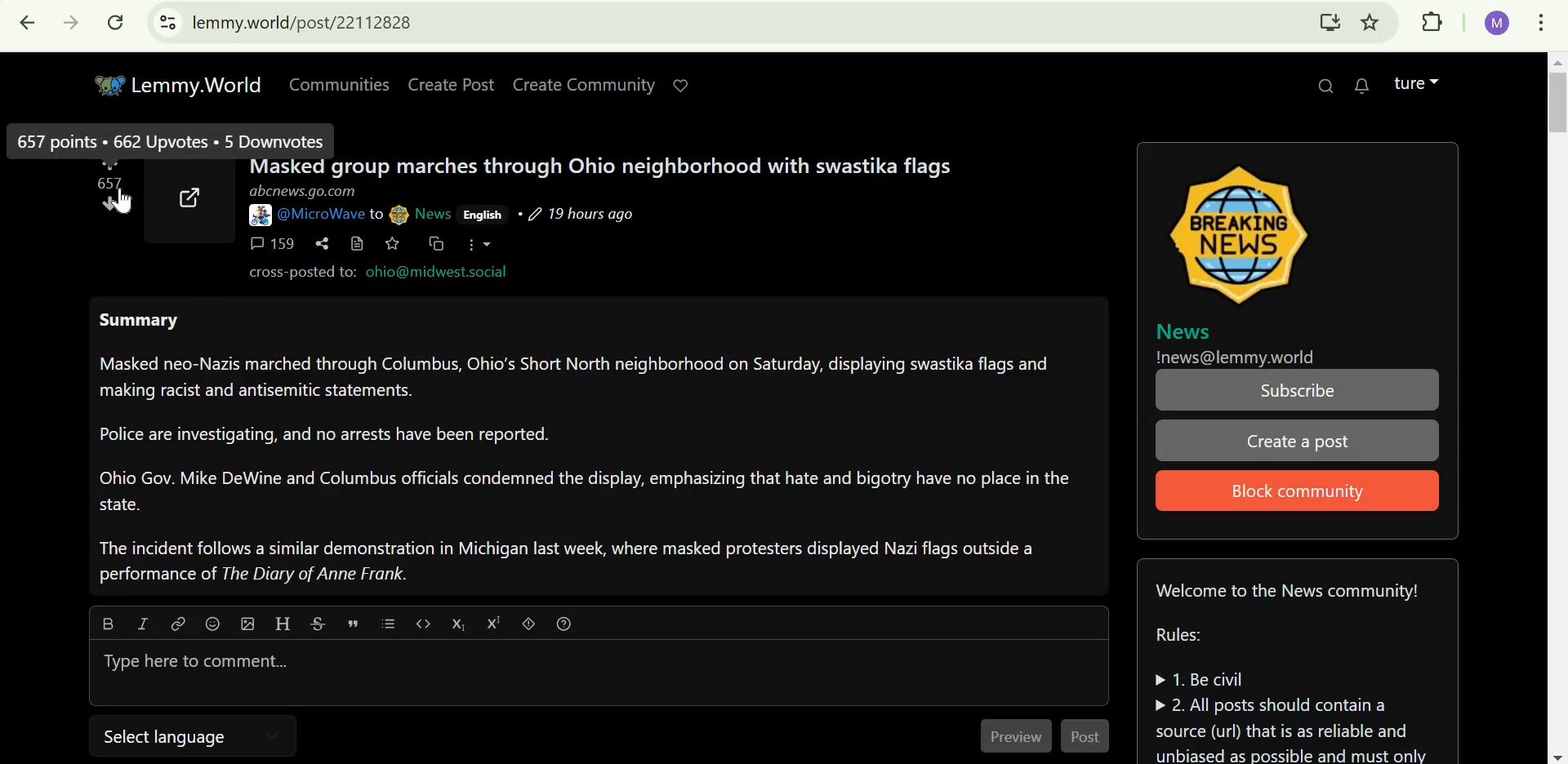 This screenshot has height=764, width=1568. Describe the element at coordinates (1246, 233) in the screenshot. I see `image icon` at that location.